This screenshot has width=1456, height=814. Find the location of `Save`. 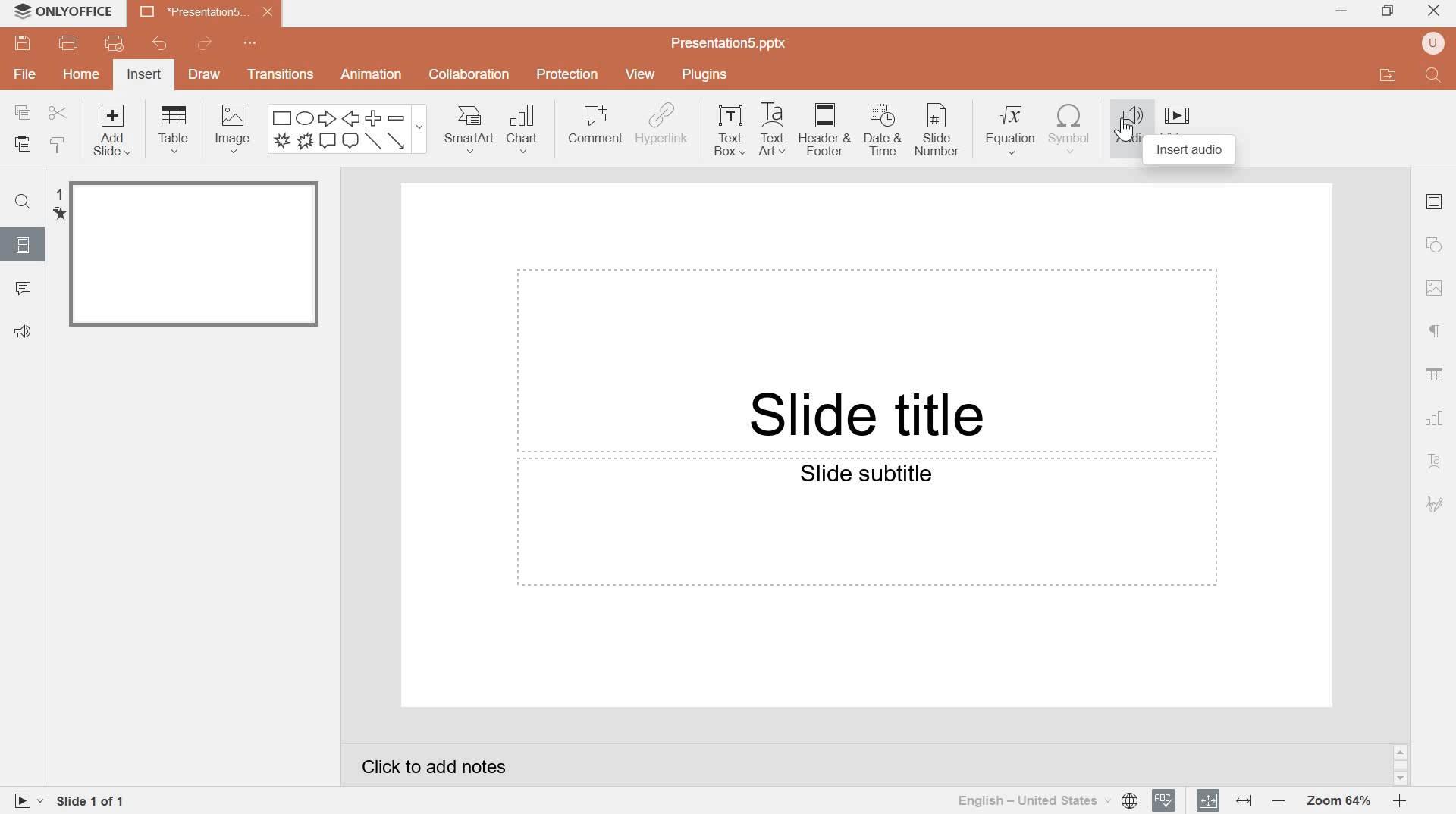

Save is located at coordinates (21, 44).